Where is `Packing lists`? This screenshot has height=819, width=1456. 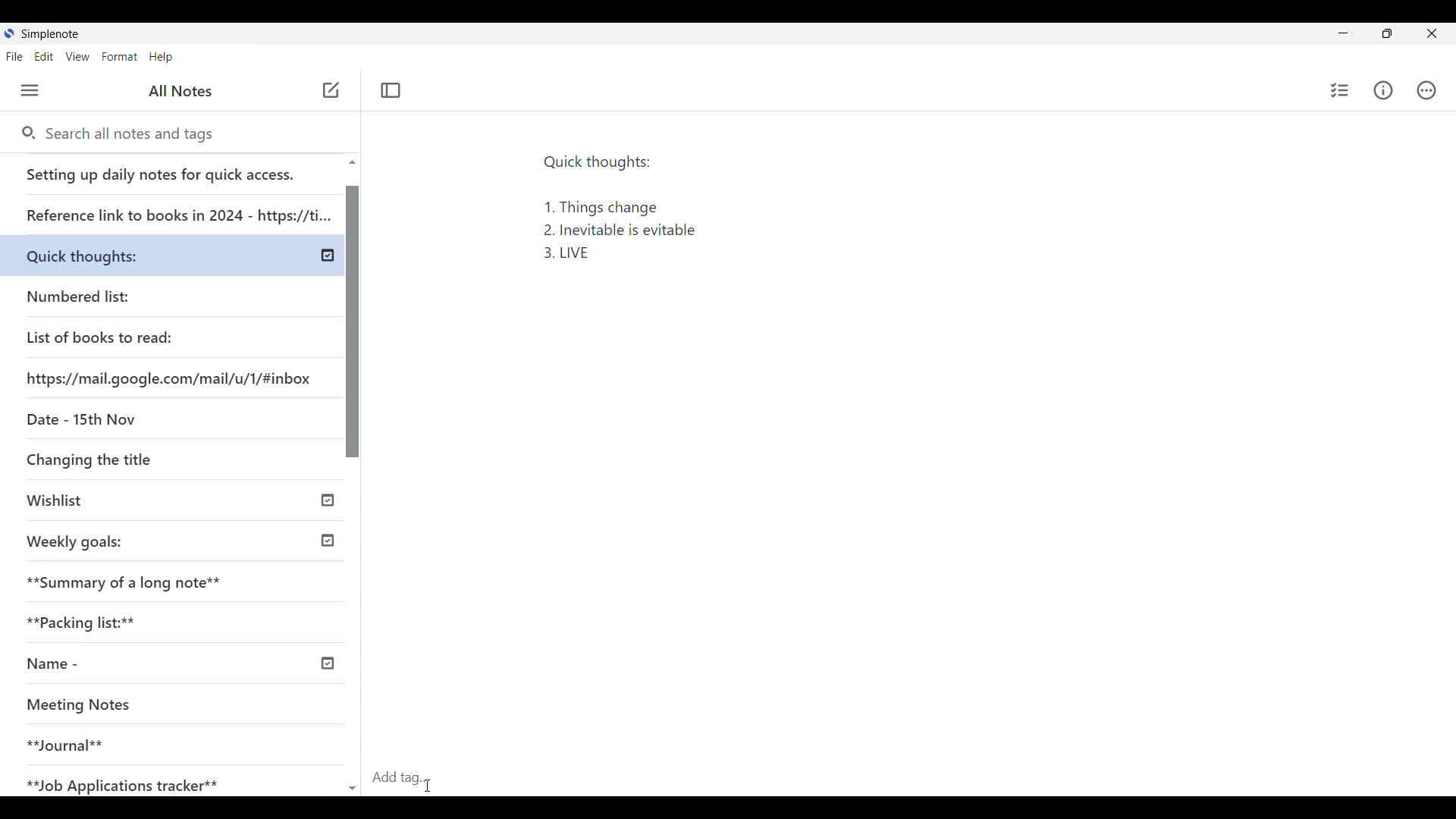 Packing lists is located at coordinates (179, 620).